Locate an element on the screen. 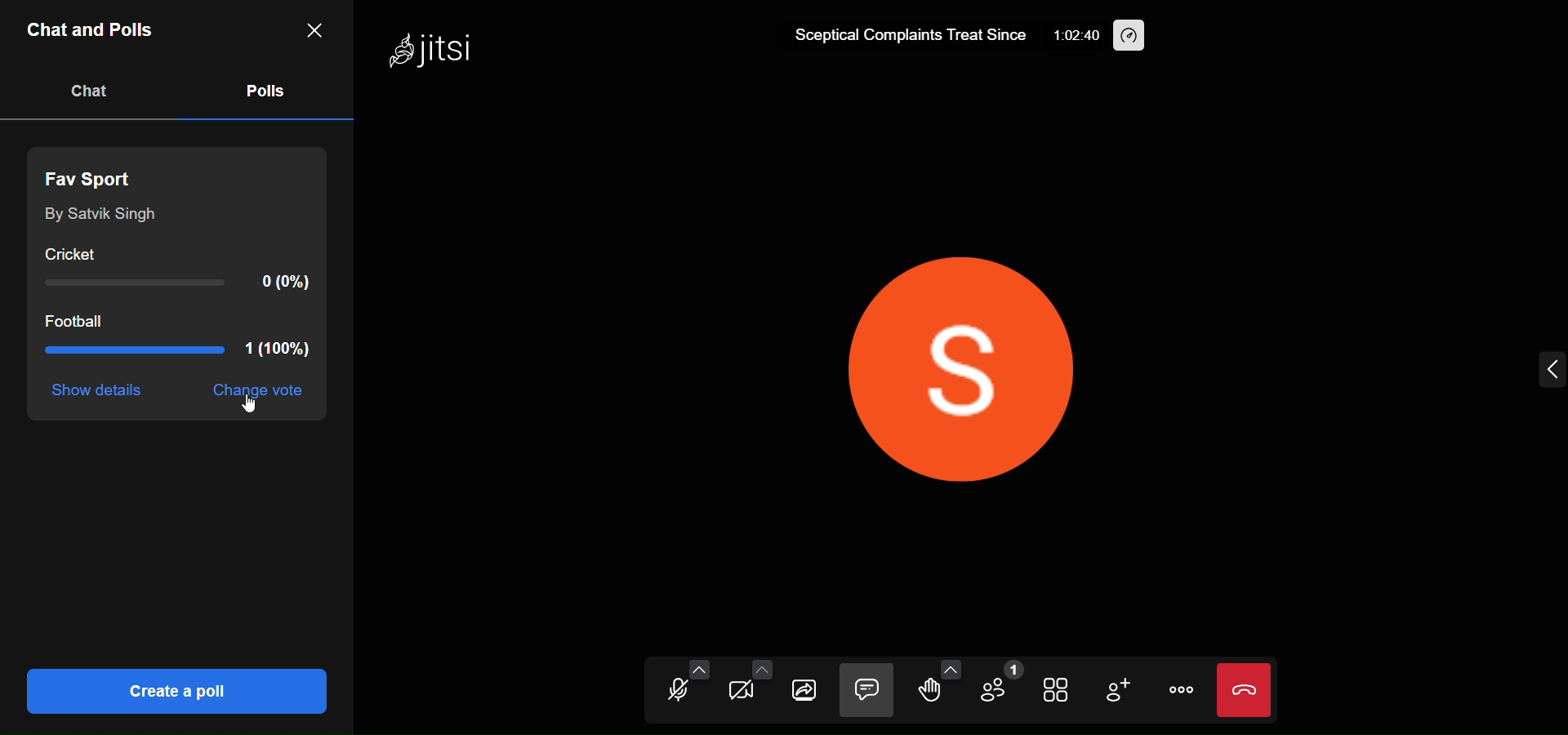  By Satvik Singh is located at coordinates (109, 216).